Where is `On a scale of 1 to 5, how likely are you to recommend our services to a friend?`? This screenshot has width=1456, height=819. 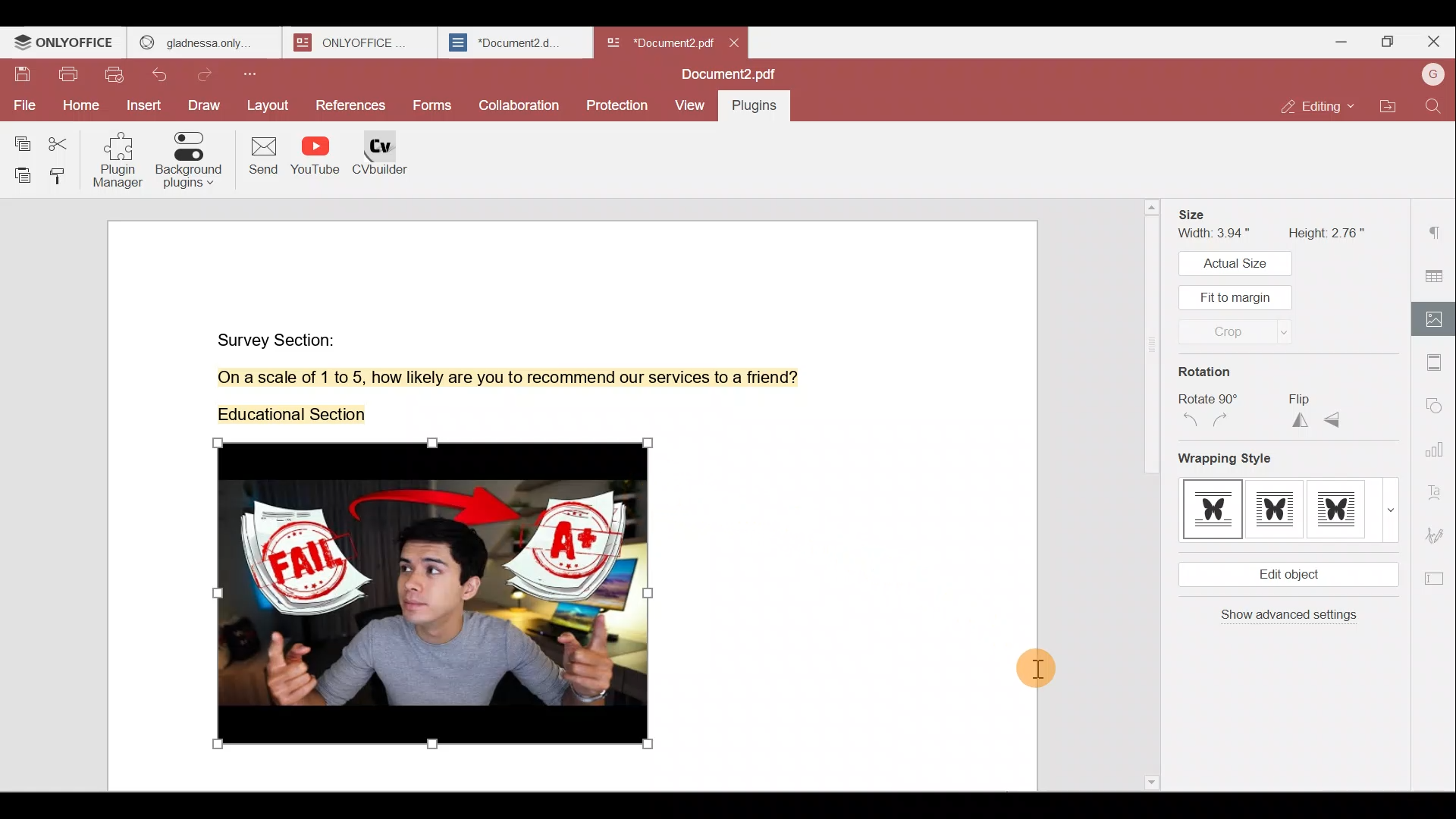 On a scale of 1 to 5, how likely are you to recommend our services to a friend? is located at coordinates (516, 378).